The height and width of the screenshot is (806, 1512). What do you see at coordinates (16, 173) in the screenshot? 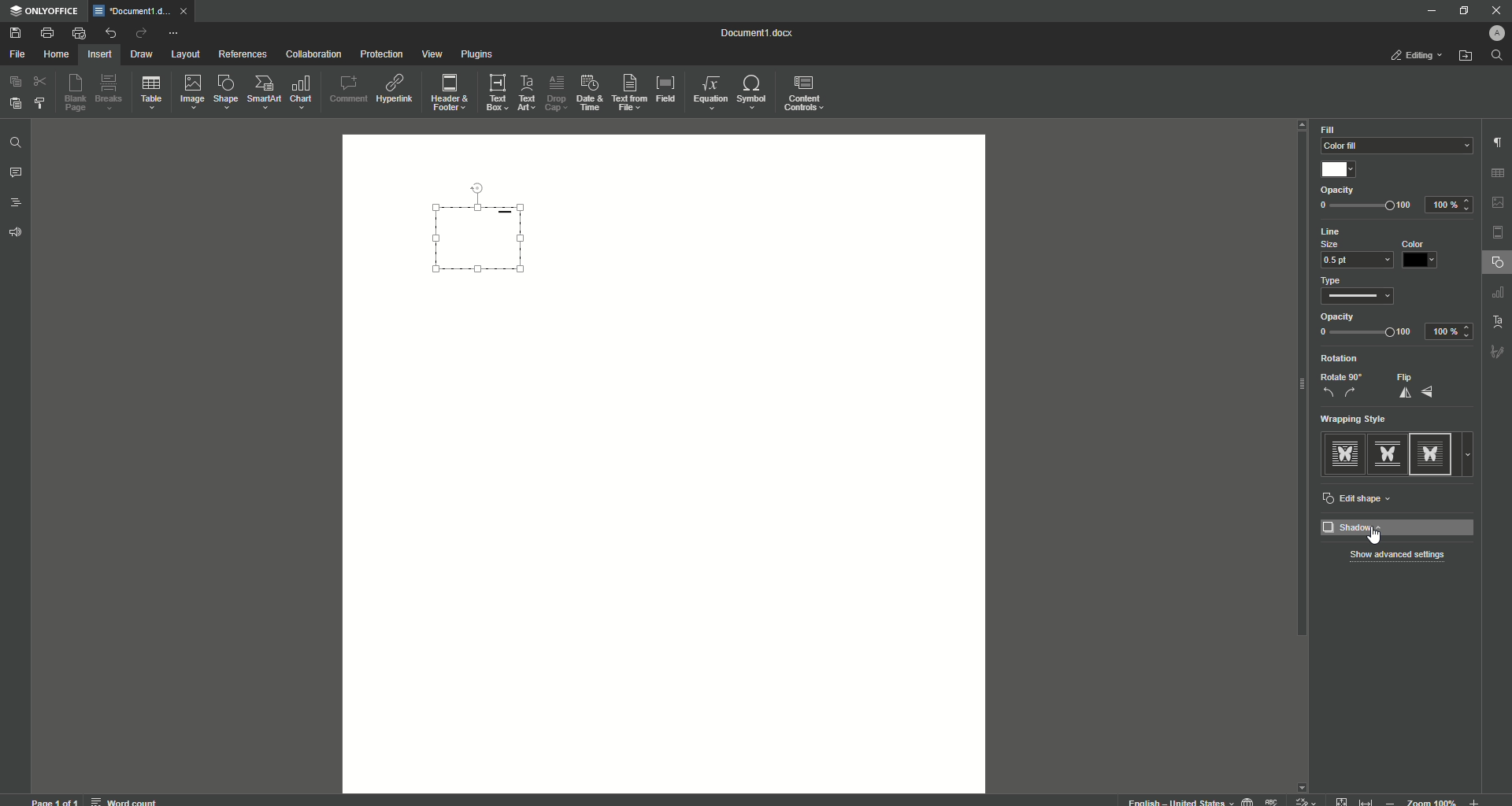
I see `Comments` at bounding box center [16, 173].